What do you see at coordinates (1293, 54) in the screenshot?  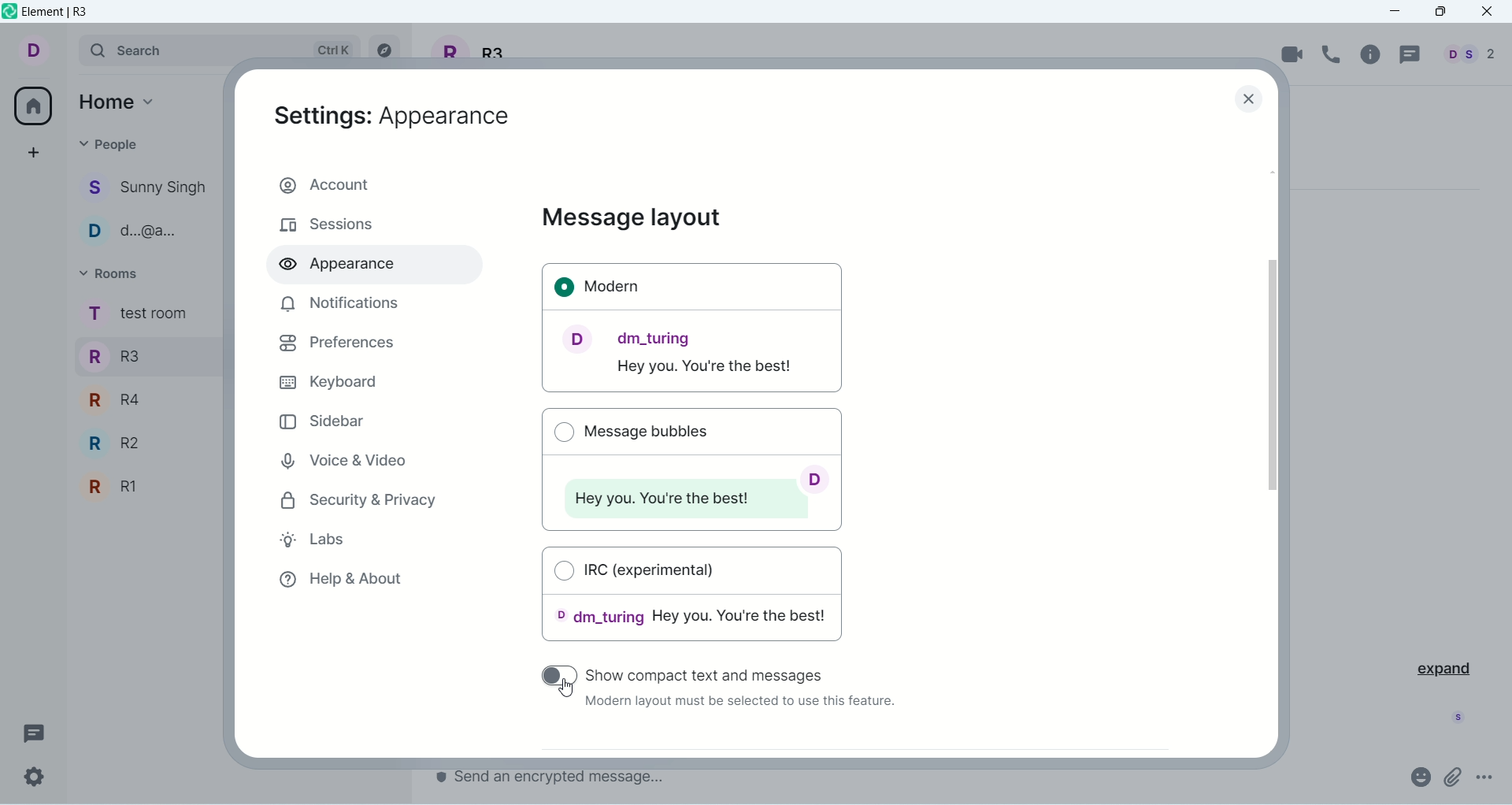 I see `video call` at bounding box center [1293, 54].